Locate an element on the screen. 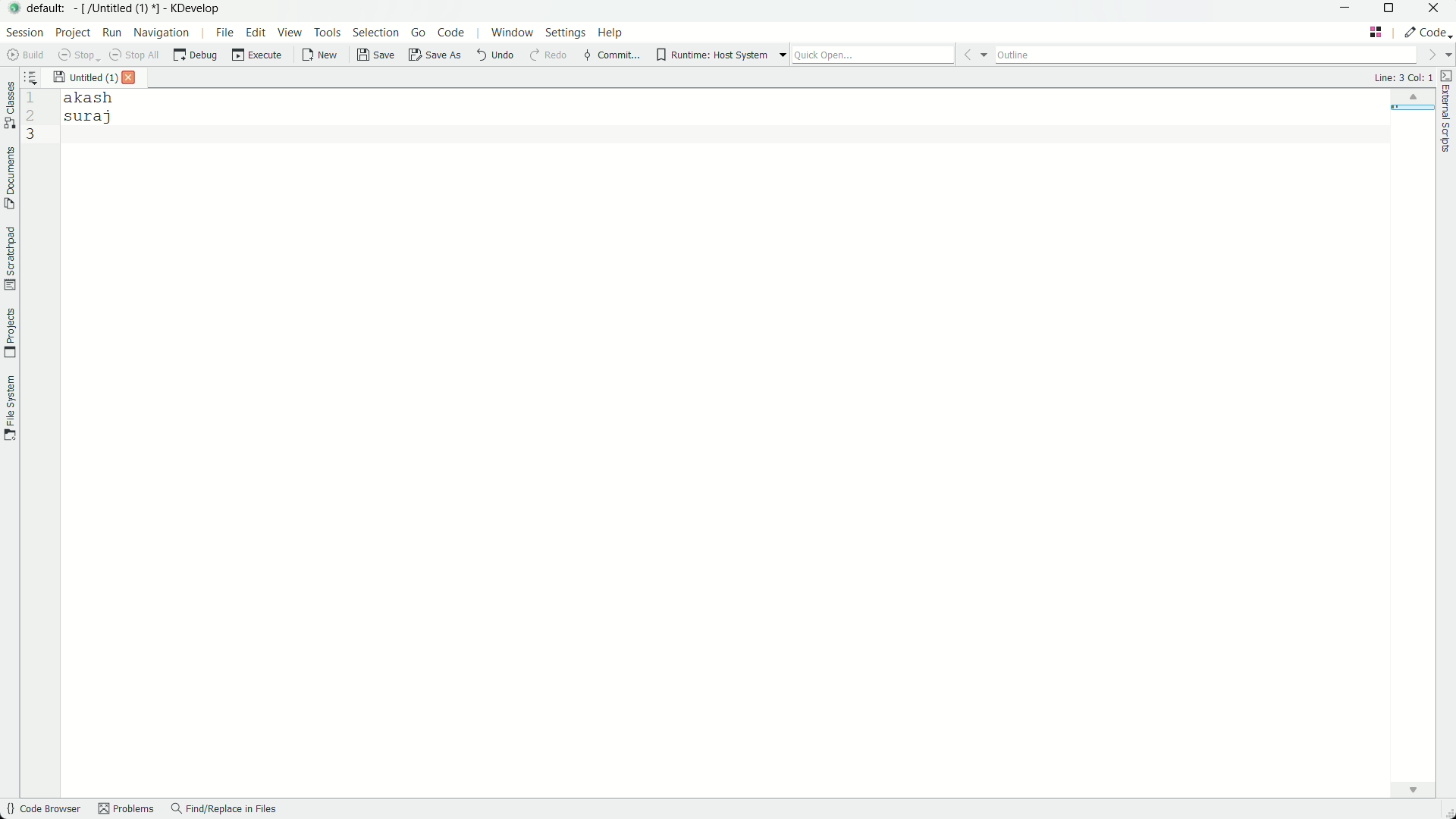 The width and height of the screenshot is (1456, 819). build is located at coordinates (23, 55).